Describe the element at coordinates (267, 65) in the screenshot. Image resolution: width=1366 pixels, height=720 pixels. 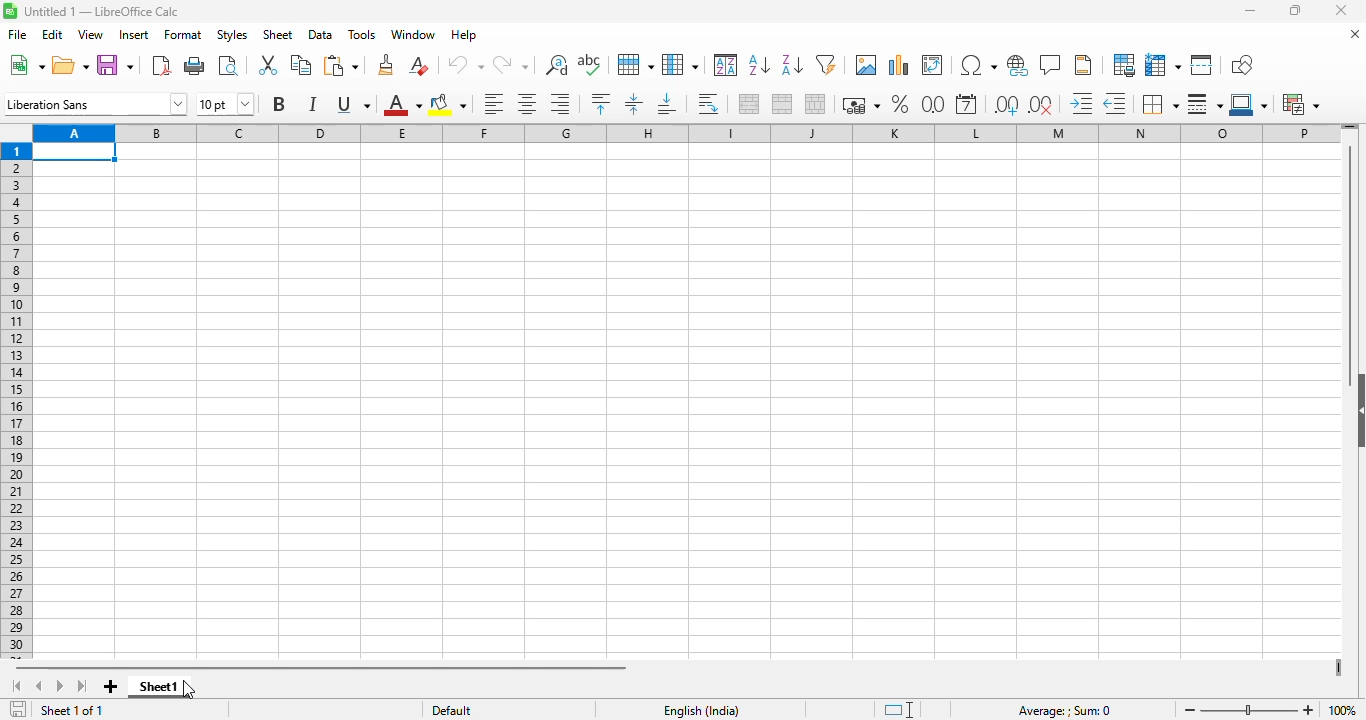
I see `cut` at that location.